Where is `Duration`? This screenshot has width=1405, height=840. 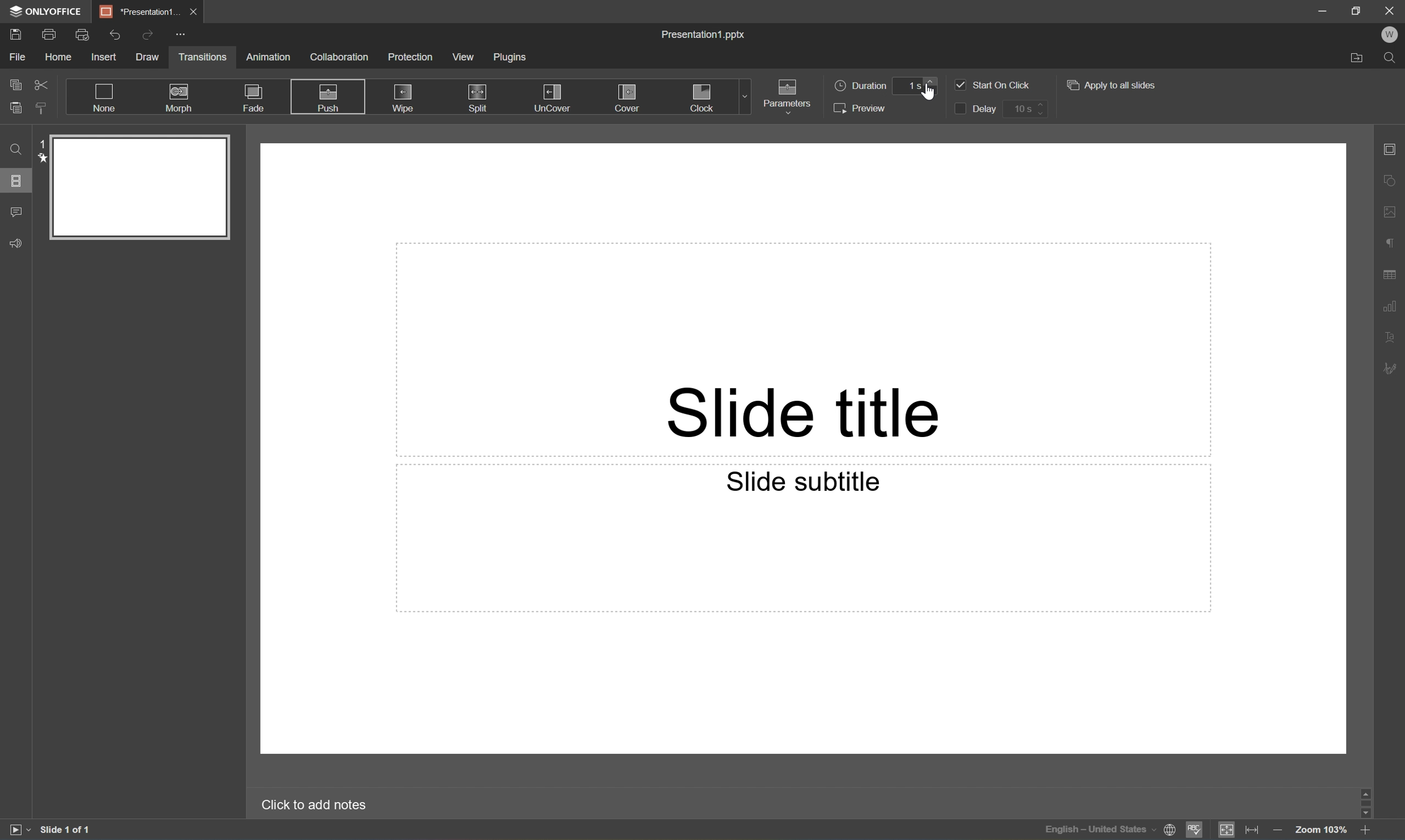 Duration is located at coordinates (860, 84).